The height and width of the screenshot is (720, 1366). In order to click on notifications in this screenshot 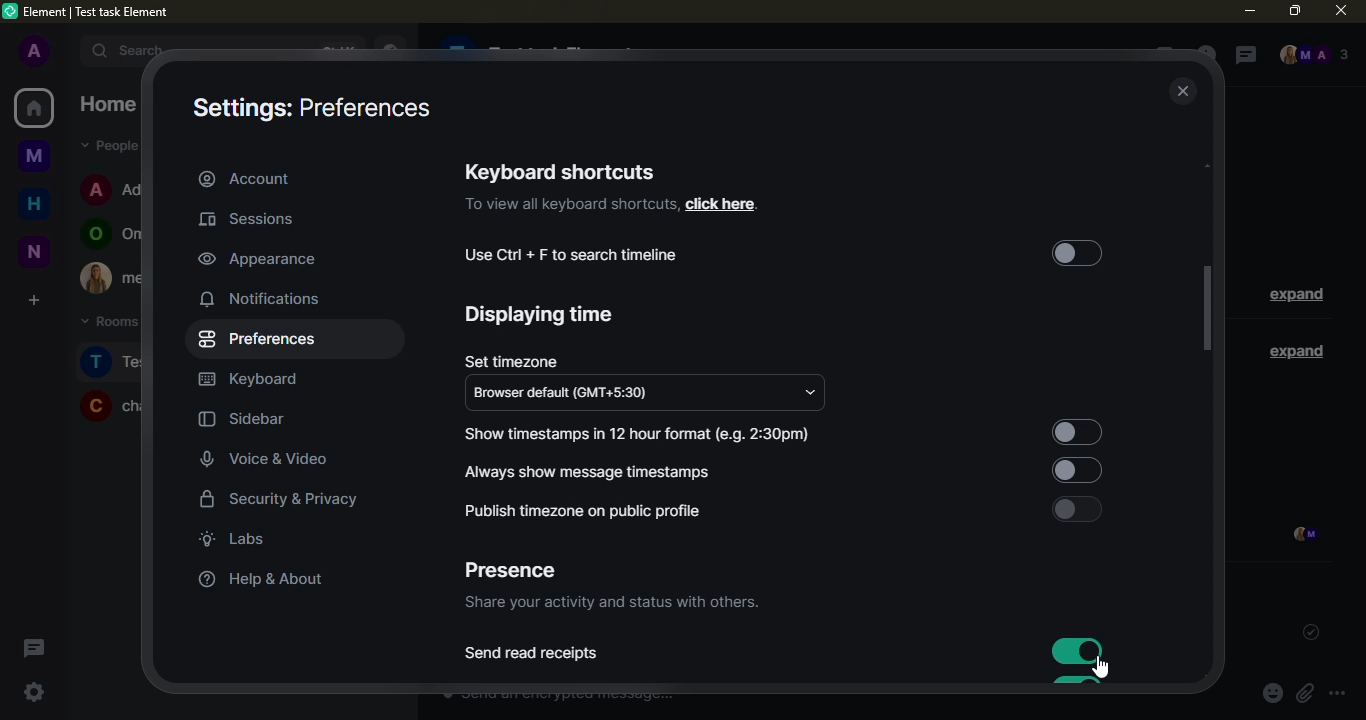, I will do `click(262, 298)`.